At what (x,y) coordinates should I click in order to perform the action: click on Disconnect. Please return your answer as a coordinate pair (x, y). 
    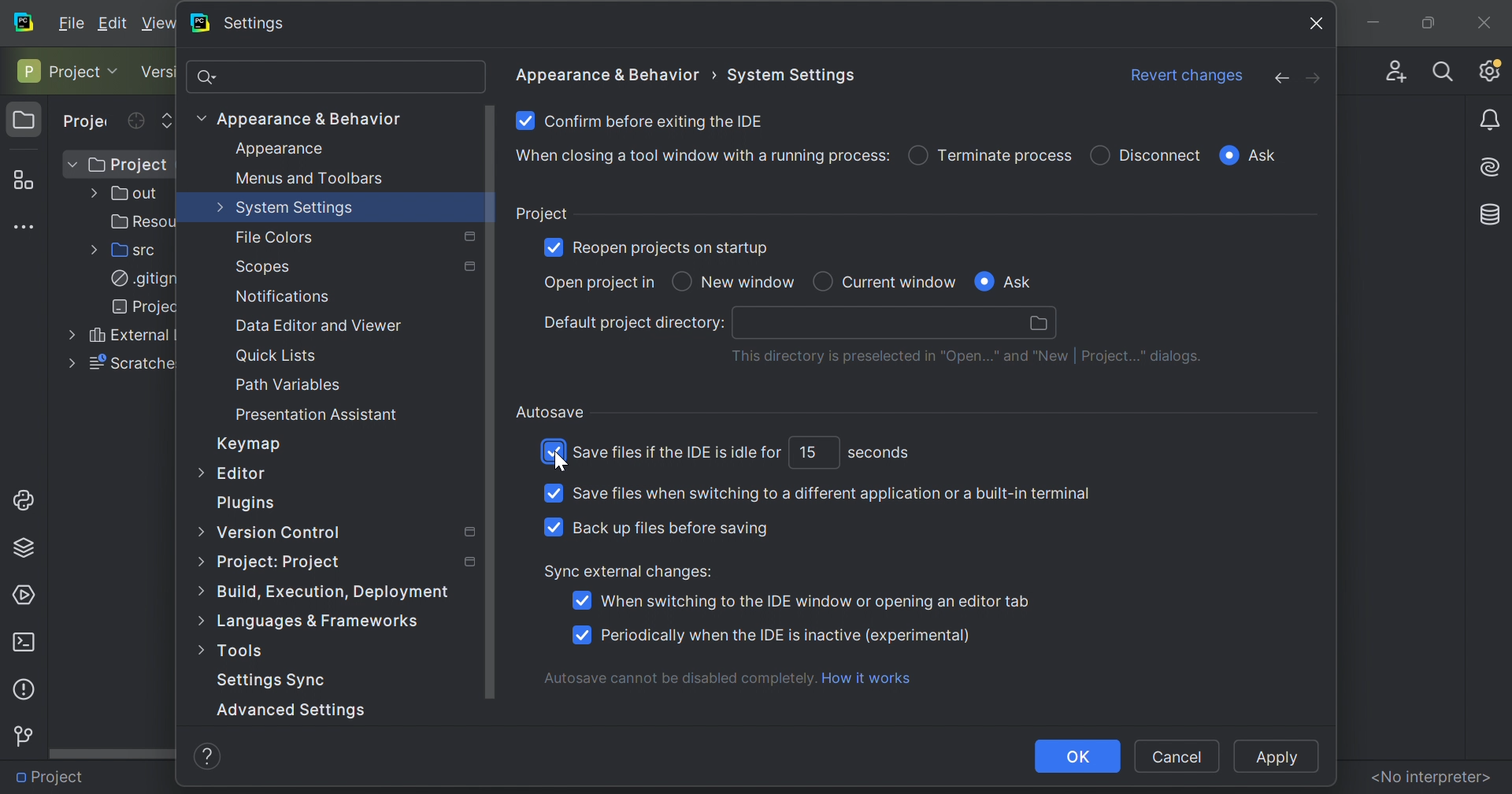
    Looking at the image, I should click on (1162, 154).